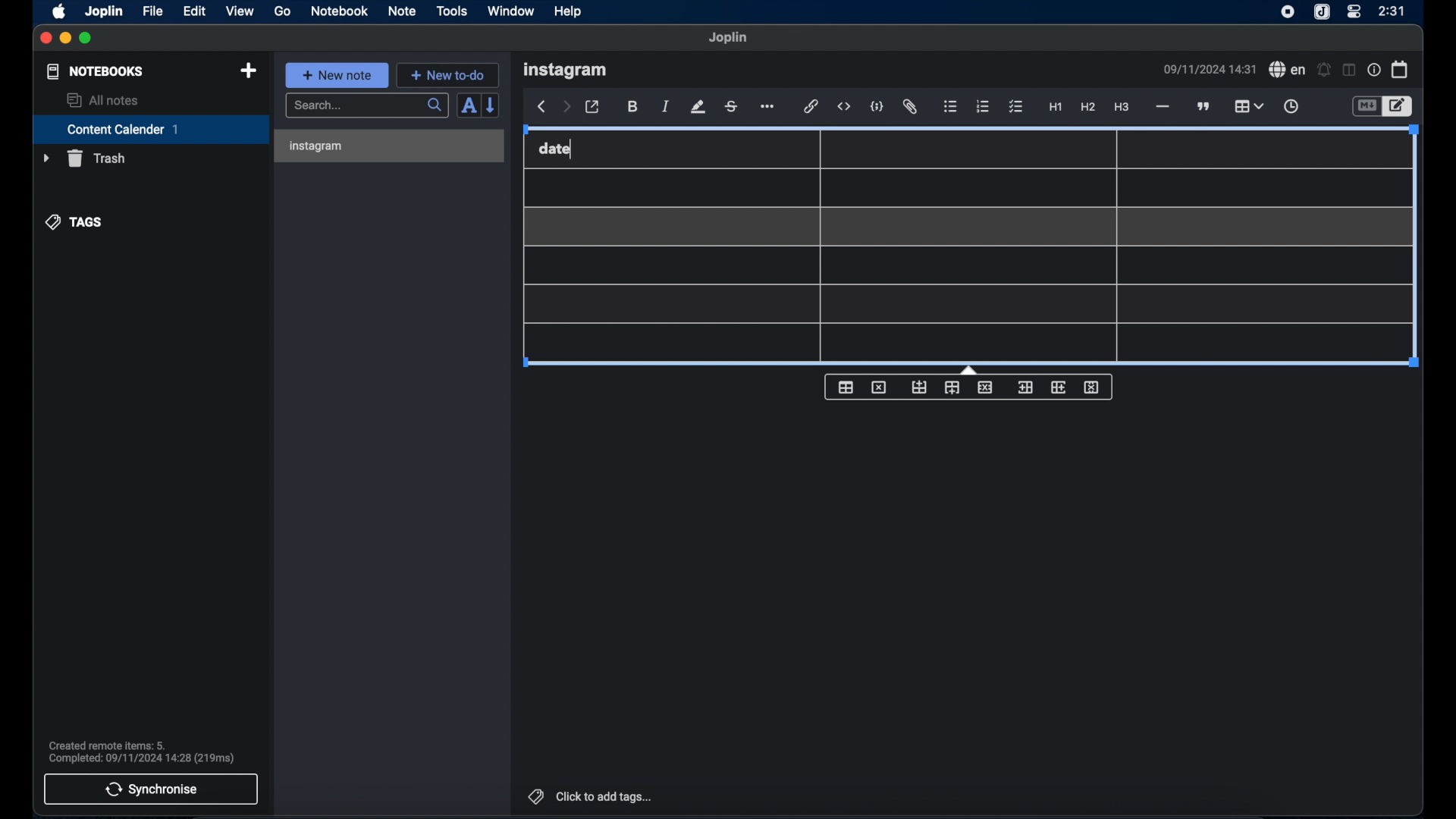 The height and width of the screenshot is (819, 1456). What do you see at coordinates (952, 388) in the screenshot?
I see `insert row after` at bounding box center [952, 388].